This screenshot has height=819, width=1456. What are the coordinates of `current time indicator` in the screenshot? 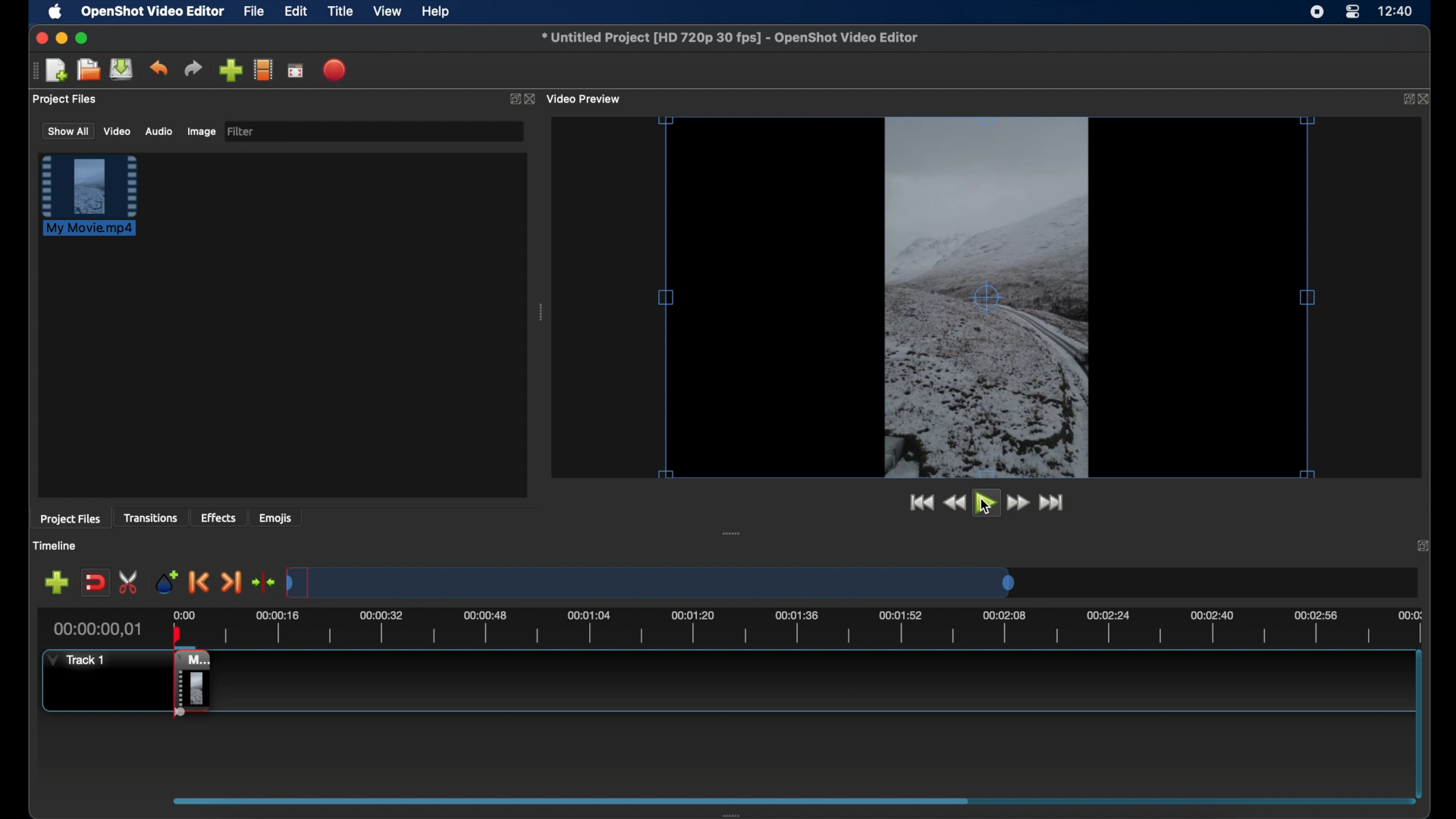 It's located at (99, 629).